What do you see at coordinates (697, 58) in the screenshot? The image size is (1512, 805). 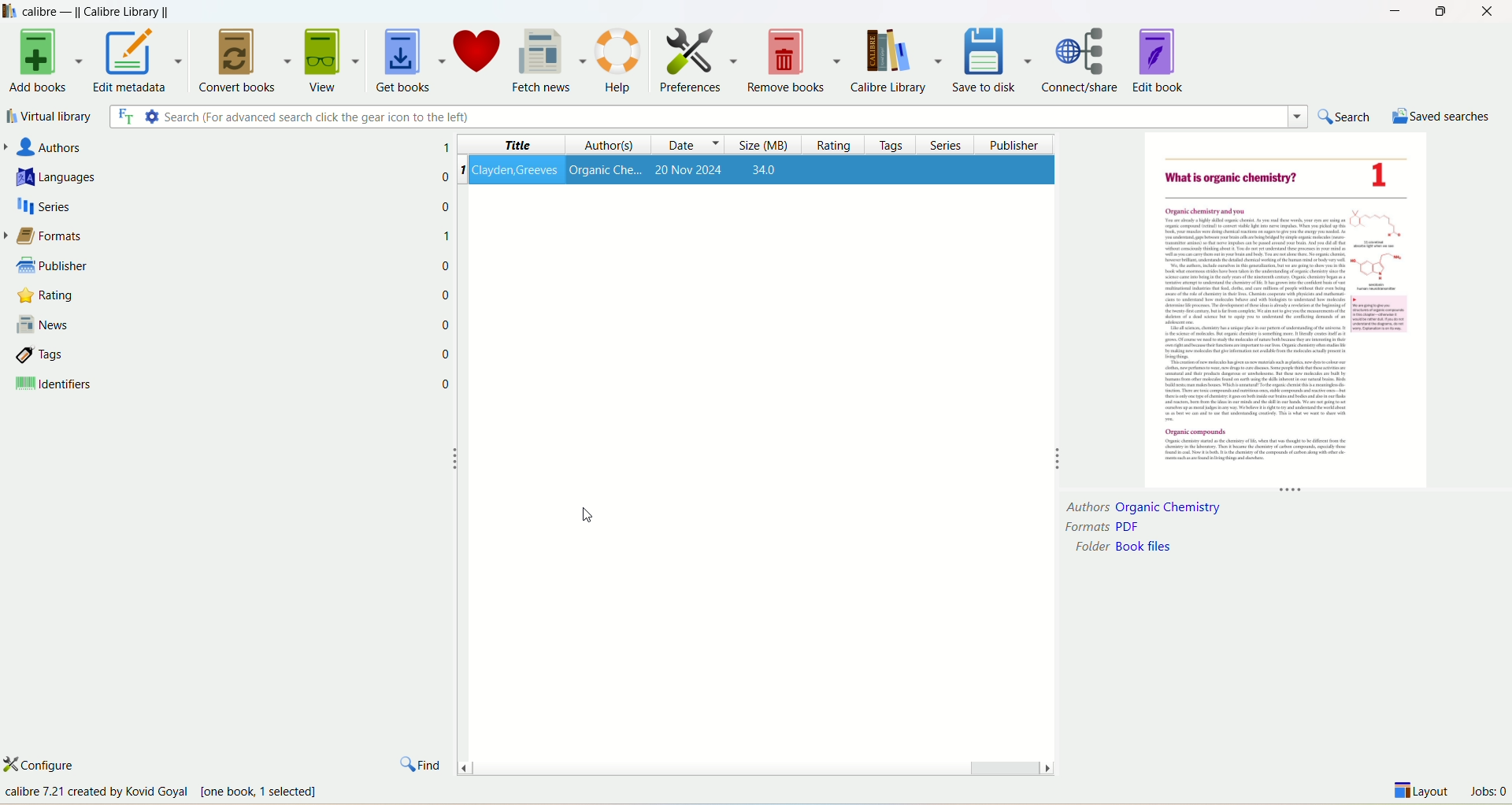 I see `preferences` at bounding box center [697, 58].